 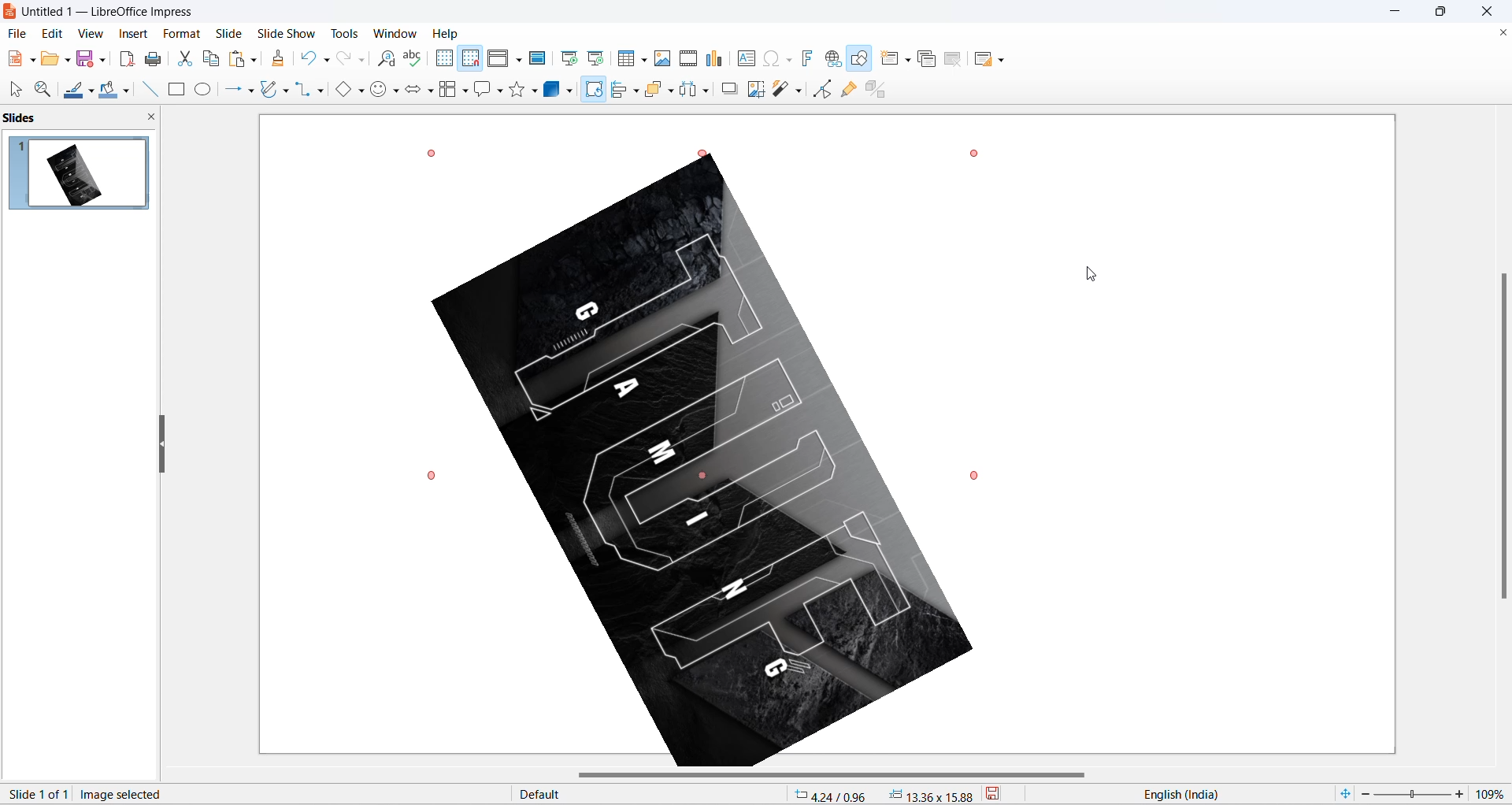 I want to click on show gluepoint functions, so click(x=852, y=89).